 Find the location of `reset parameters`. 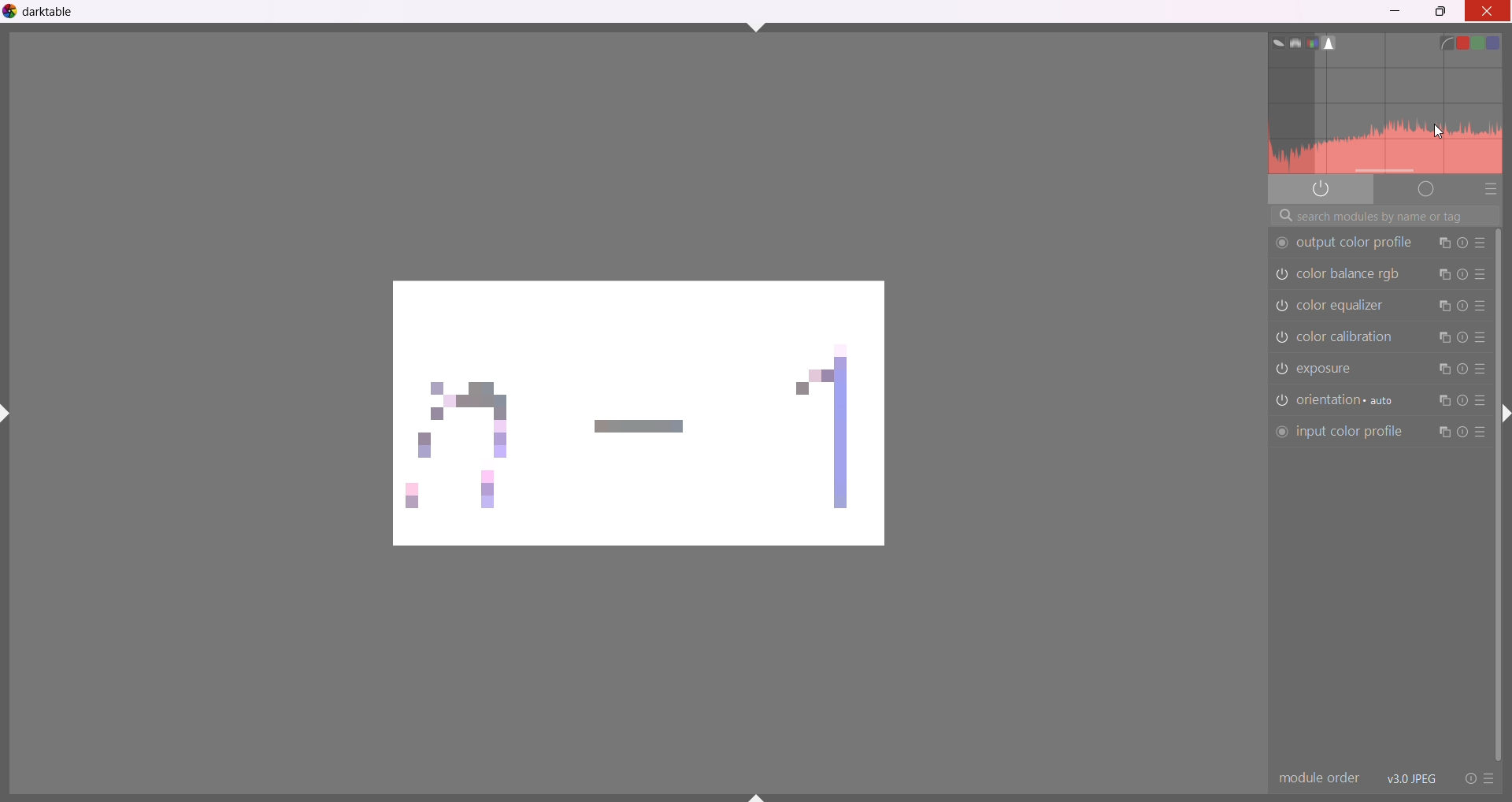

reset parameters is located at coordinates (1462, 402).